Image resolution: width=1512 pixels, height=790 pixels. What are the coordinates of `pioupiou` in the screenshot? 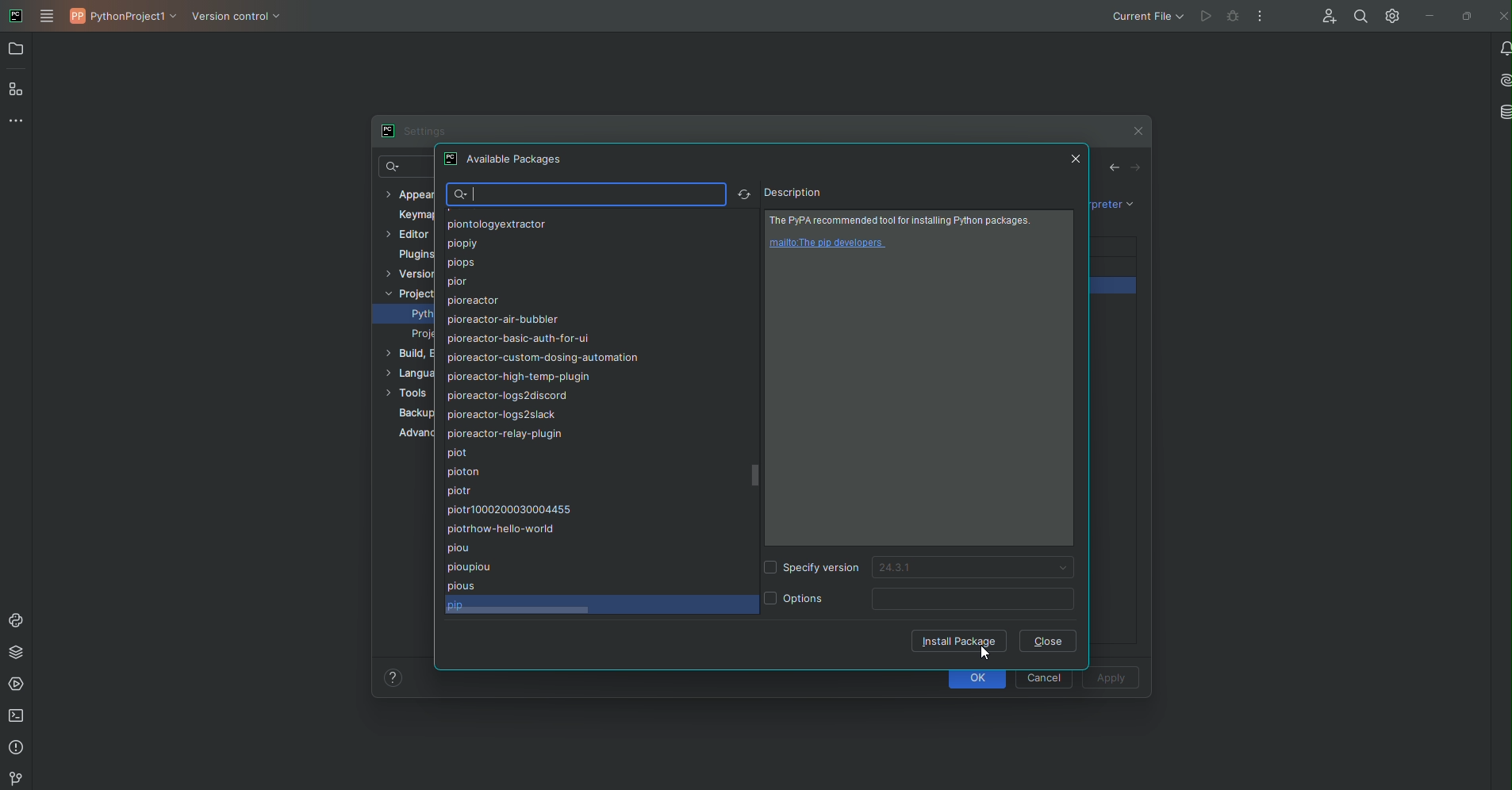 It's located at (469, 566).